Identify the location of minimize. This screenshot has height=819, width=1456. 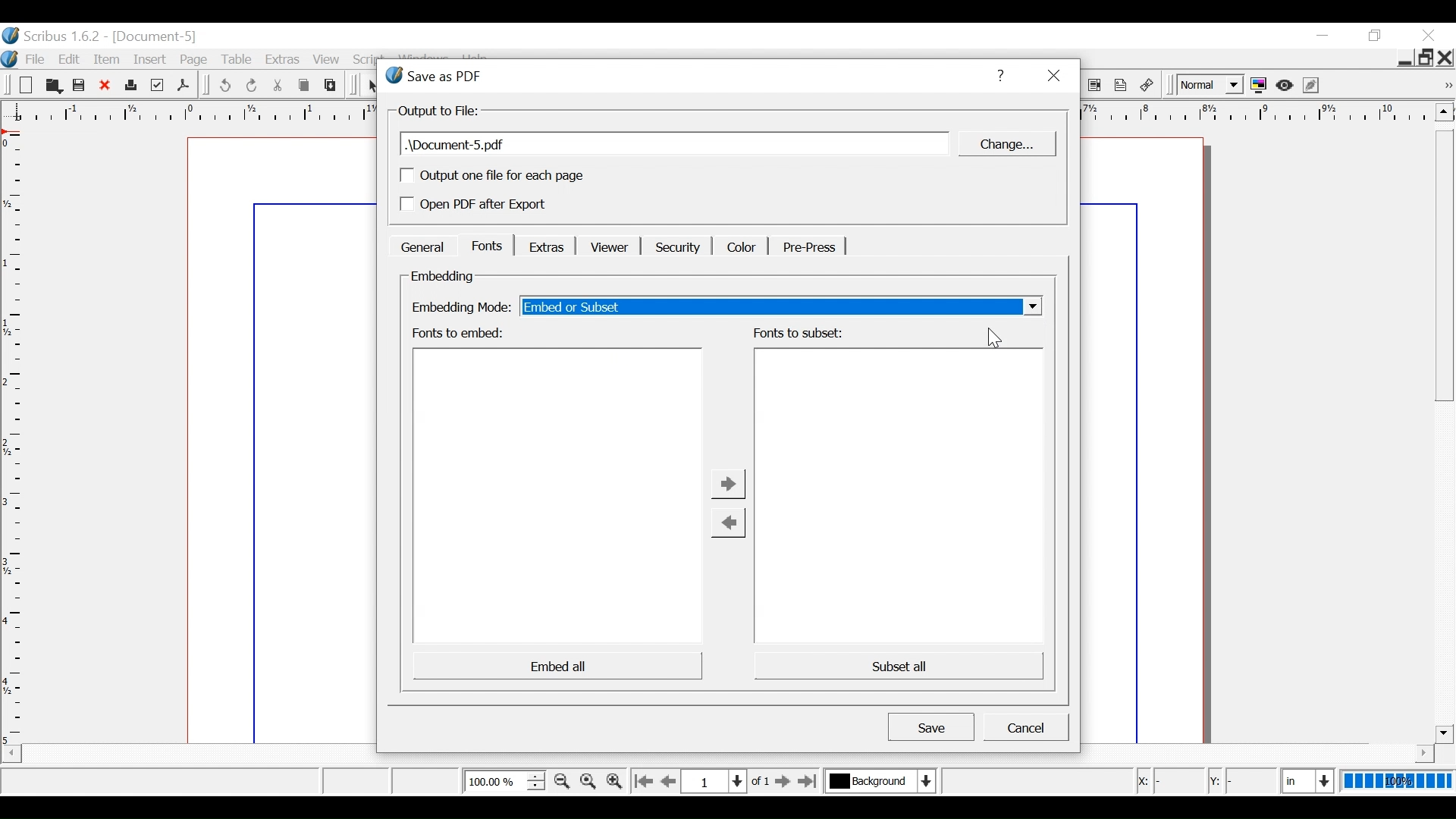
(1322, 36).